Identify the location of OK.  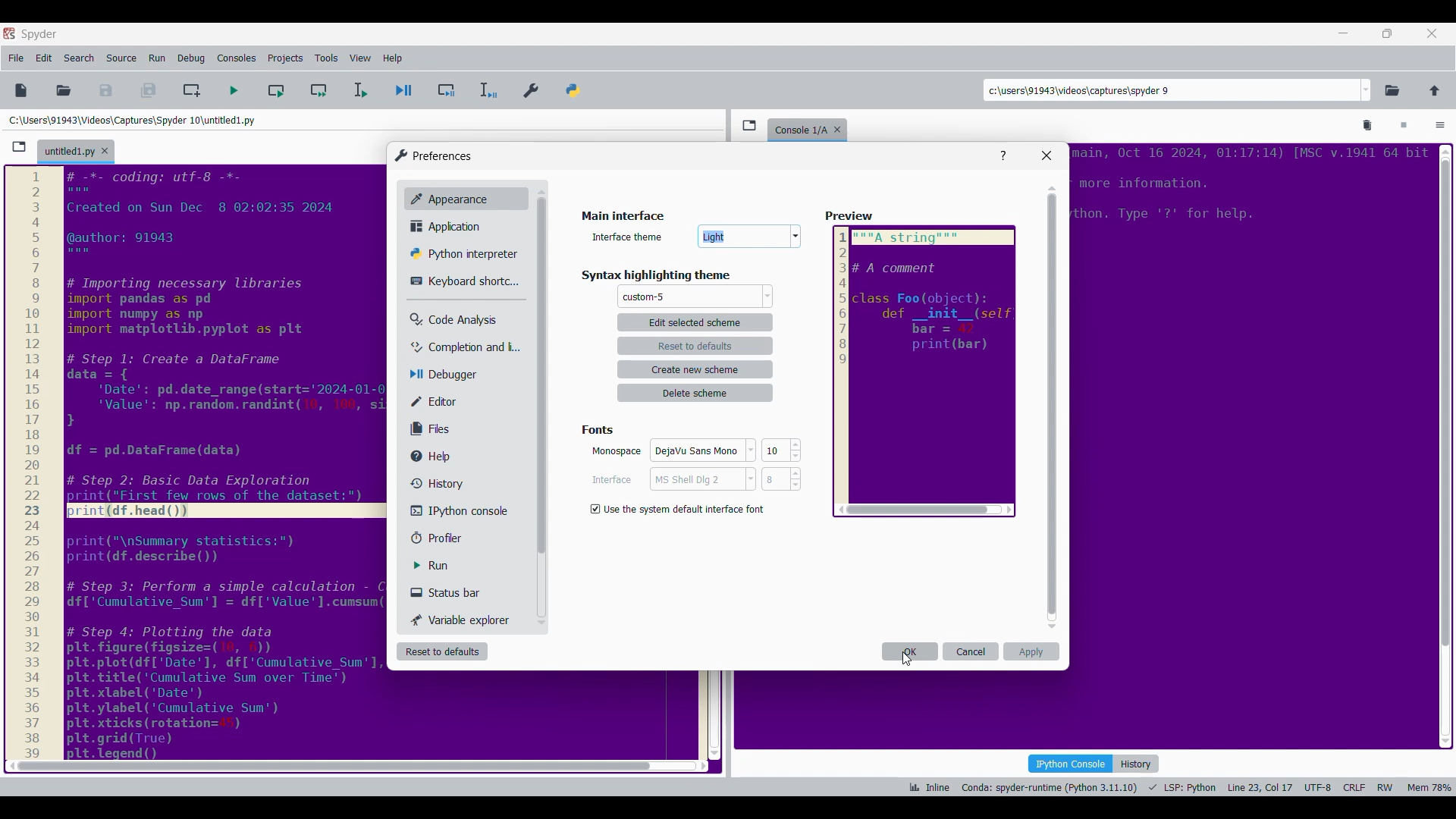
(696, 453).